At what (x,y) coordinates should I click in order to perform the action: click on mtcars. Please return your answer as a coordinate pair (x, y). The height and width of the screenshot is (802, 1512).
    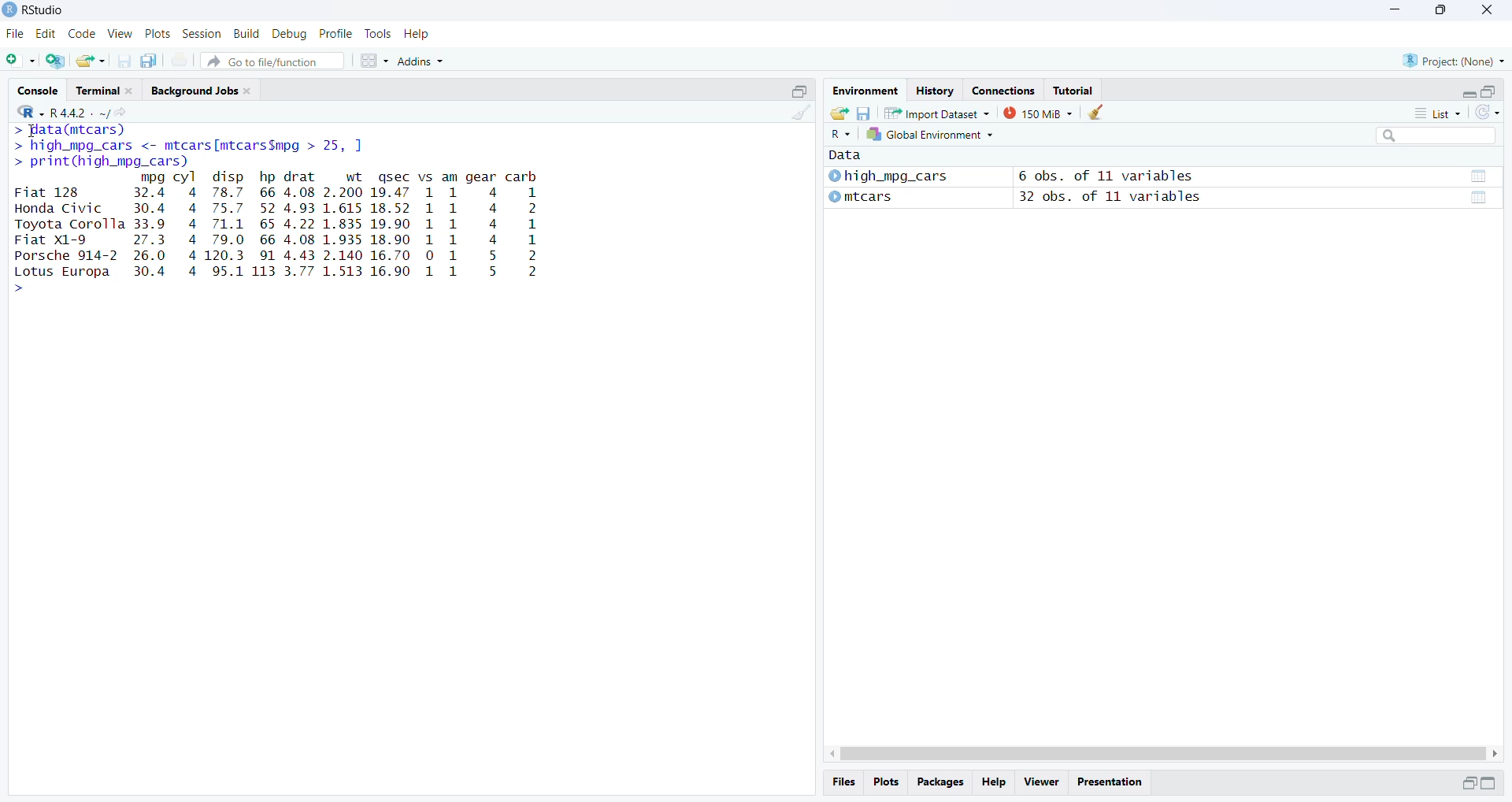
    Looking at the image, I should click on (860, 197).